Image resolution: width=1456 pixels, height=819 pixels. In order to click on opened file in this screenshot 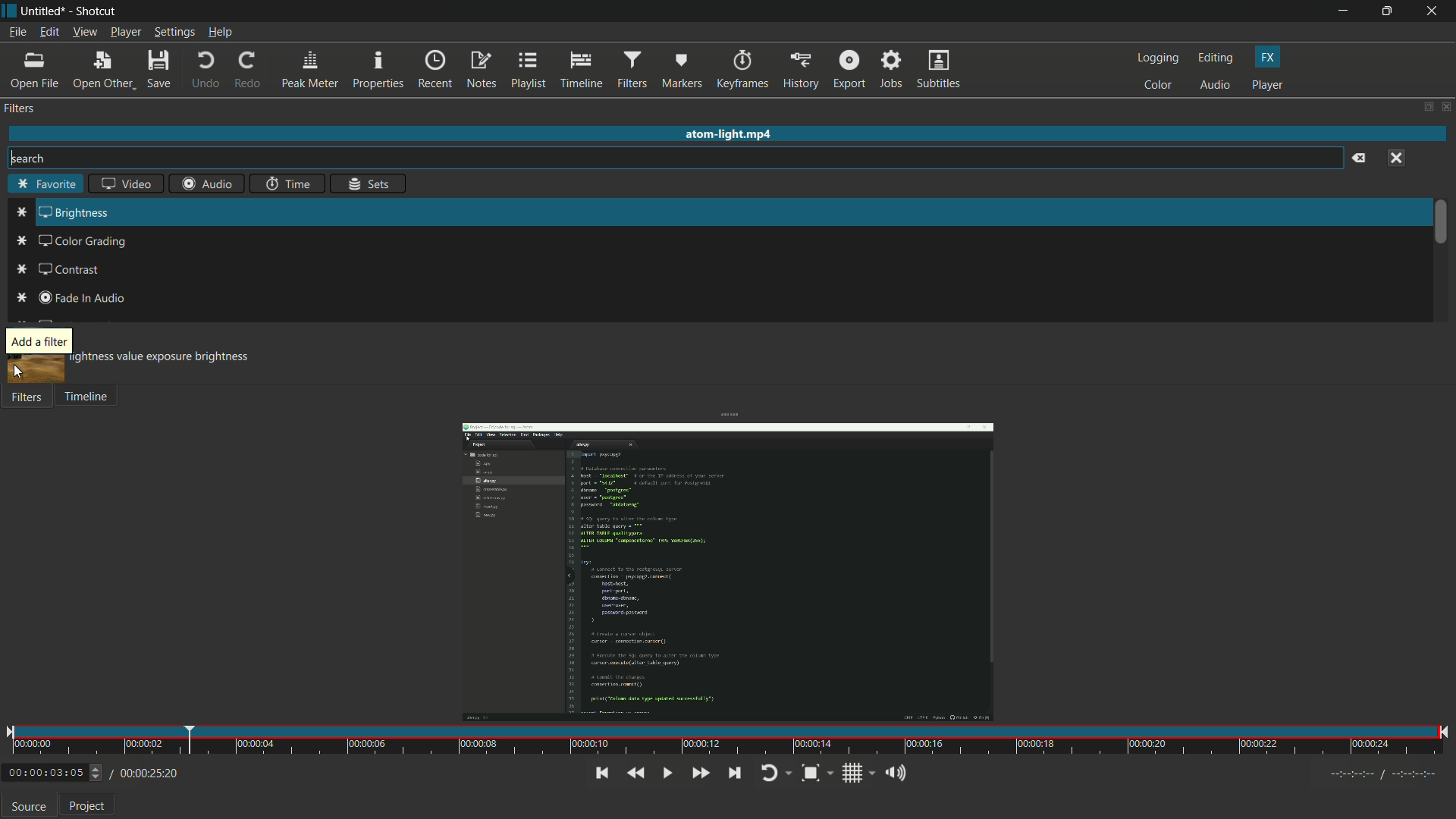, I will do `click(726, 563)`.